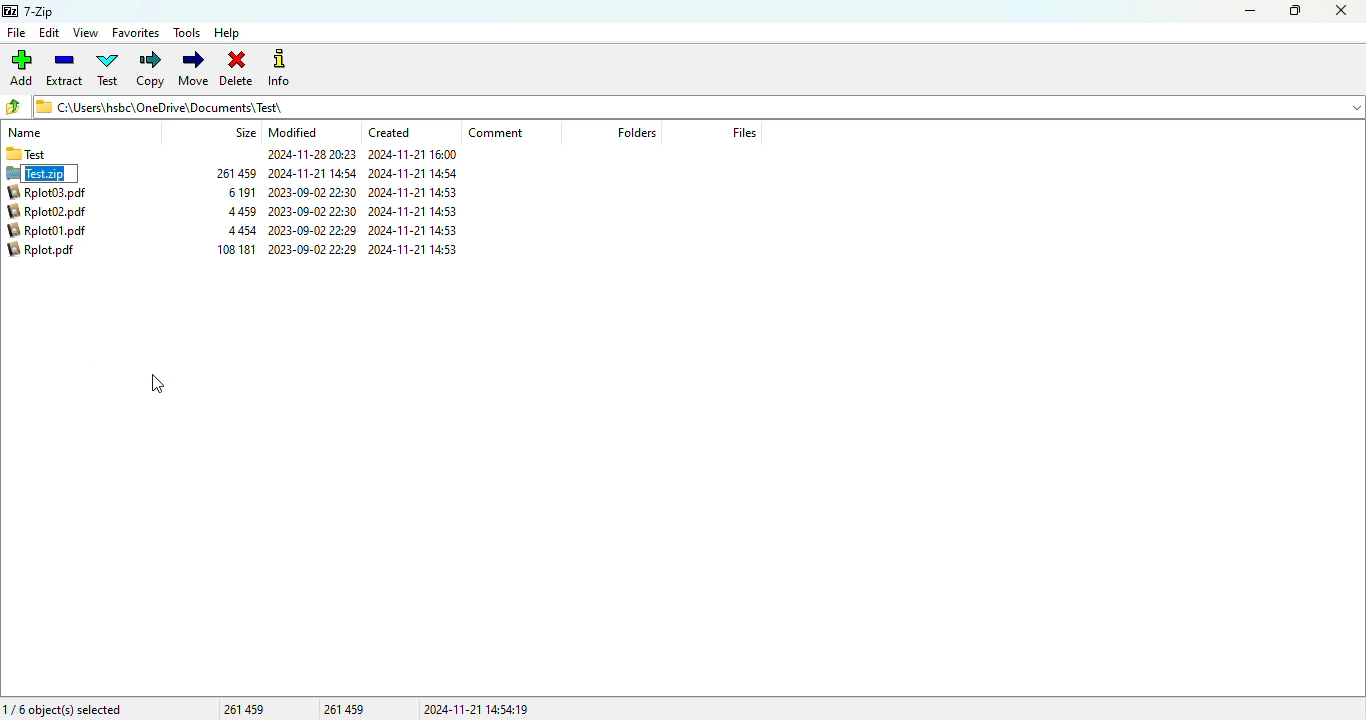  I want to click on Rplot02.pdf 4459 2023-09-02 22:30 2024-11-21 14:53, so click(53, 212).